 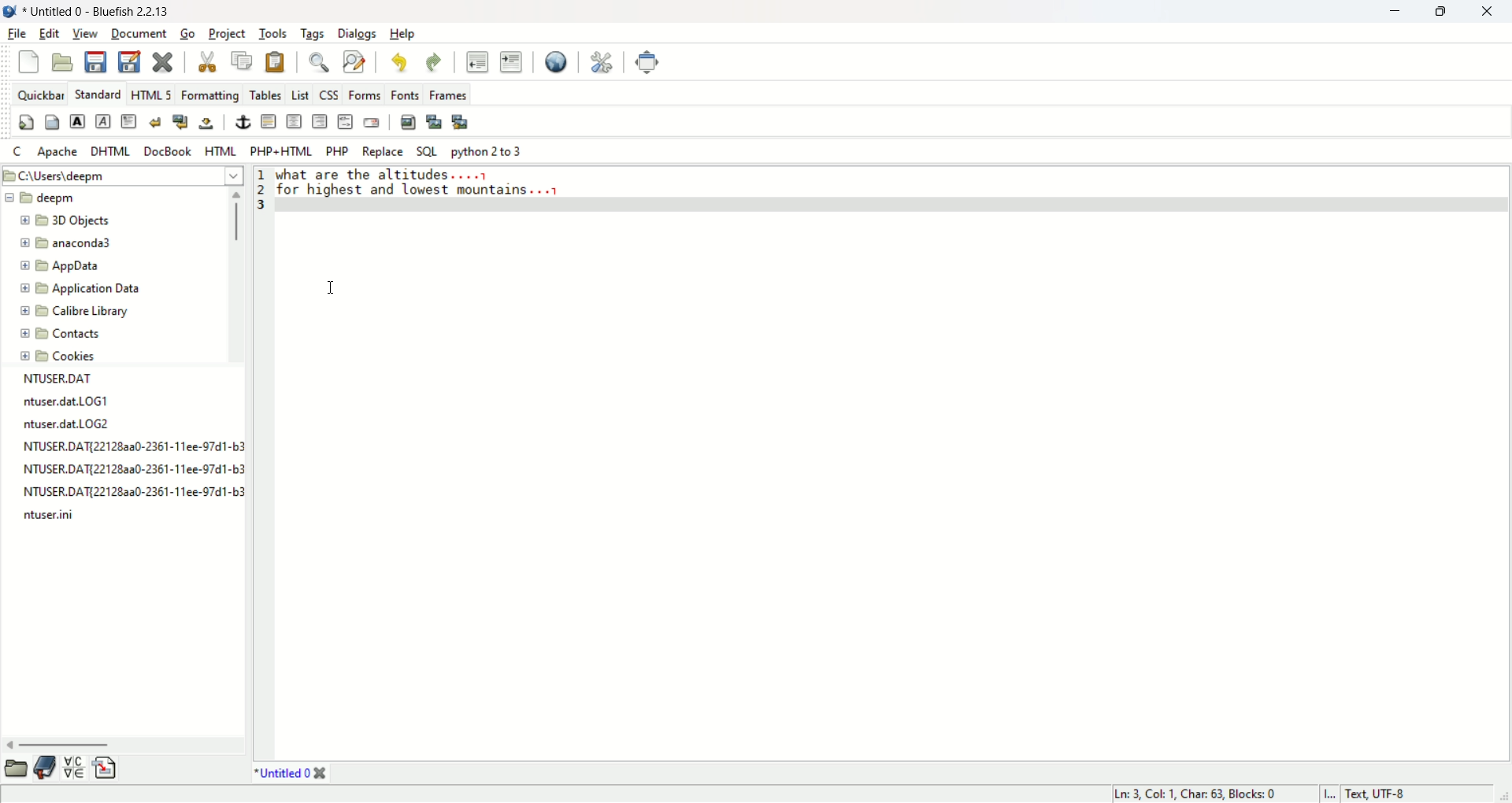 What do you see at coordinates (274, 35) in the screenshot?
I see `tools` at bounding box center [274, 35].